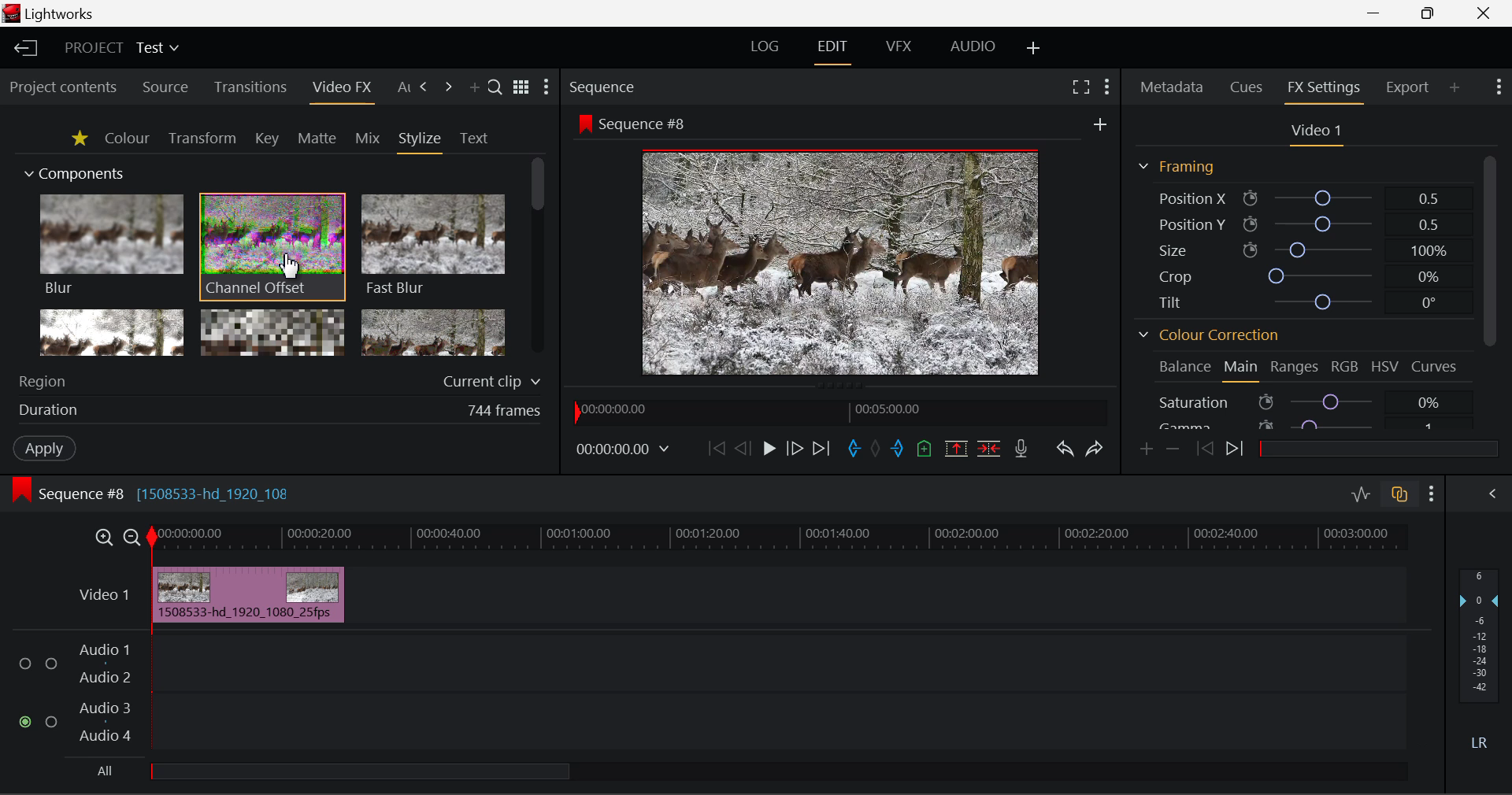 This screenshot has width=1512, height=795. I want to click on Audio Input Field, so click(708, 694).